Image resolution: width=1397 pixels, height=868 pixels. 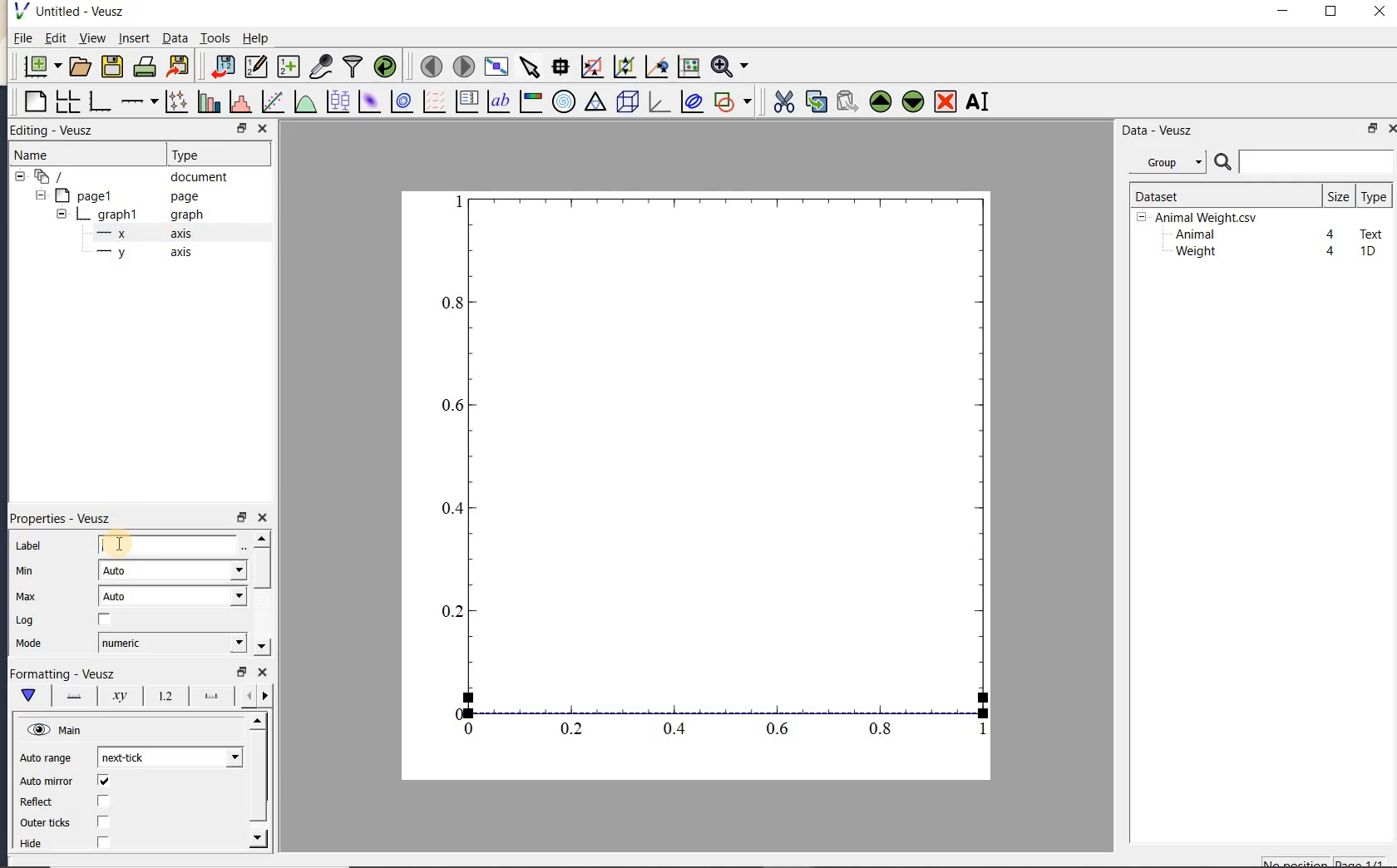 What do you see at coordinates (1218, 195) in the screenshot?
I see `Dataset` at bounding box center [1218, 195].